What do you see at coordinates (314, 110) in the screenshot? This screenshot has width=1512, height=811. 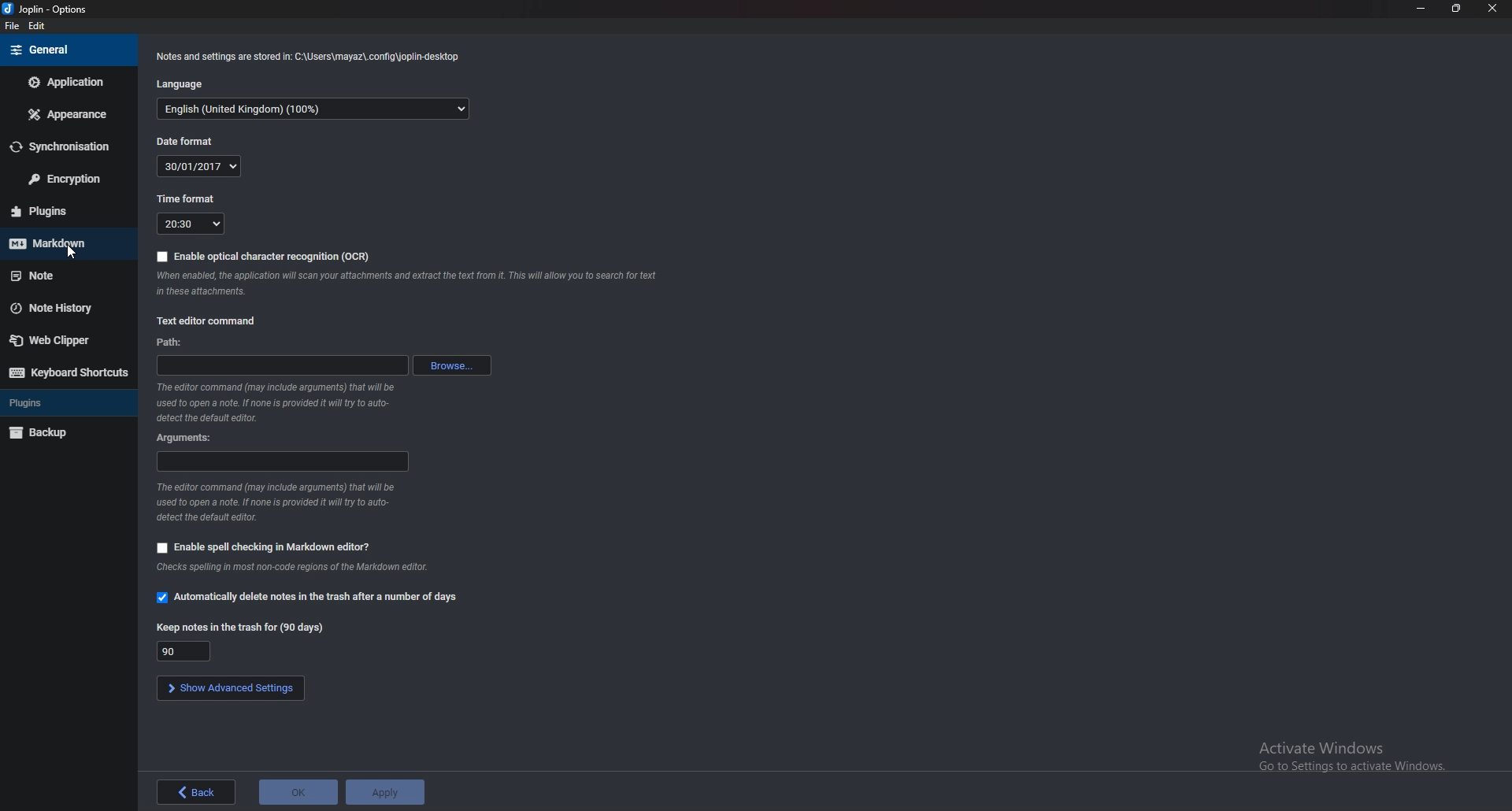 I see `language` at bounding box center [314, 110].